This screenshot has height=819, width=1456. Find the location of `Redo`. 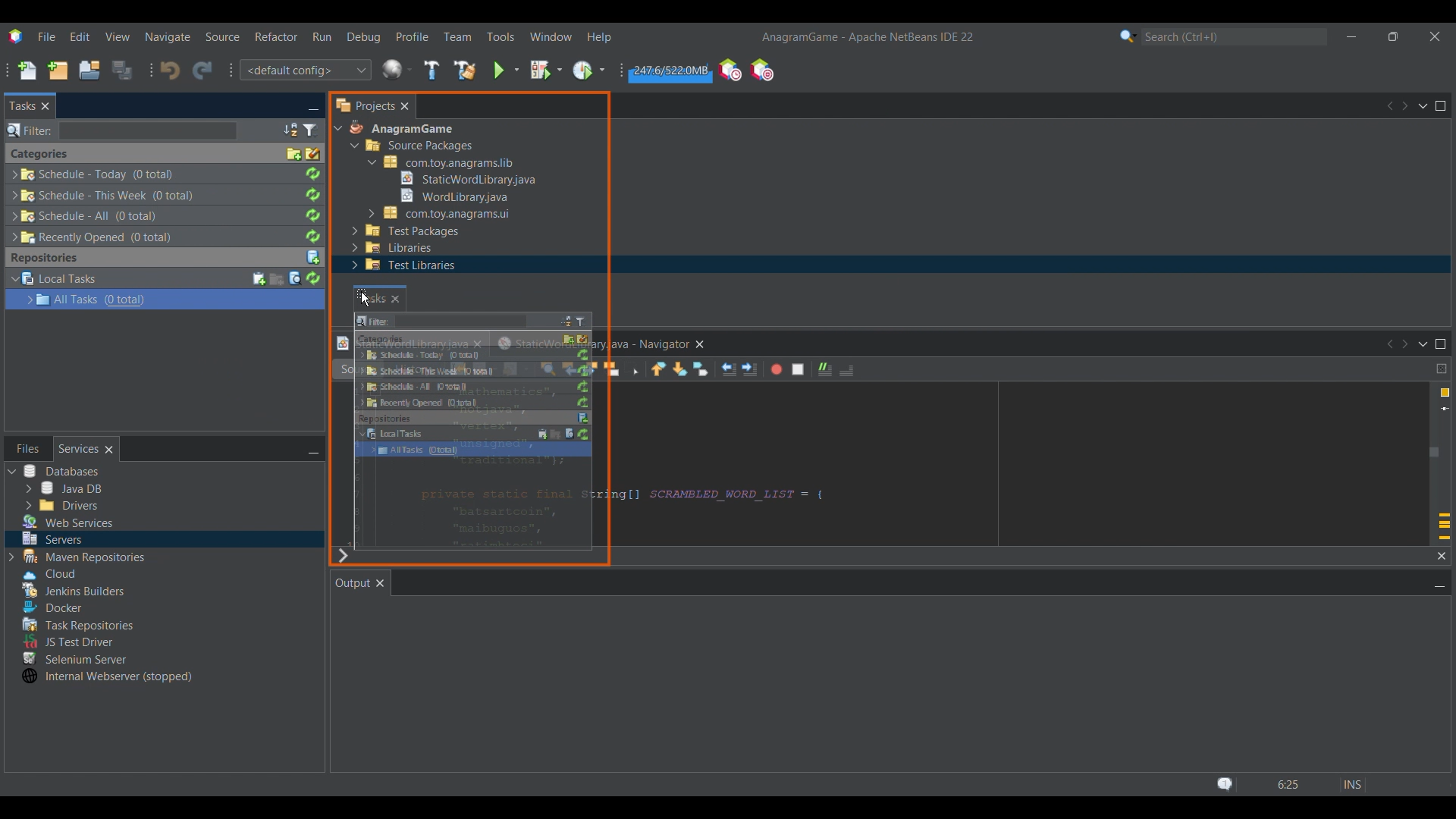

Redo is located at coordinates (202, 71).